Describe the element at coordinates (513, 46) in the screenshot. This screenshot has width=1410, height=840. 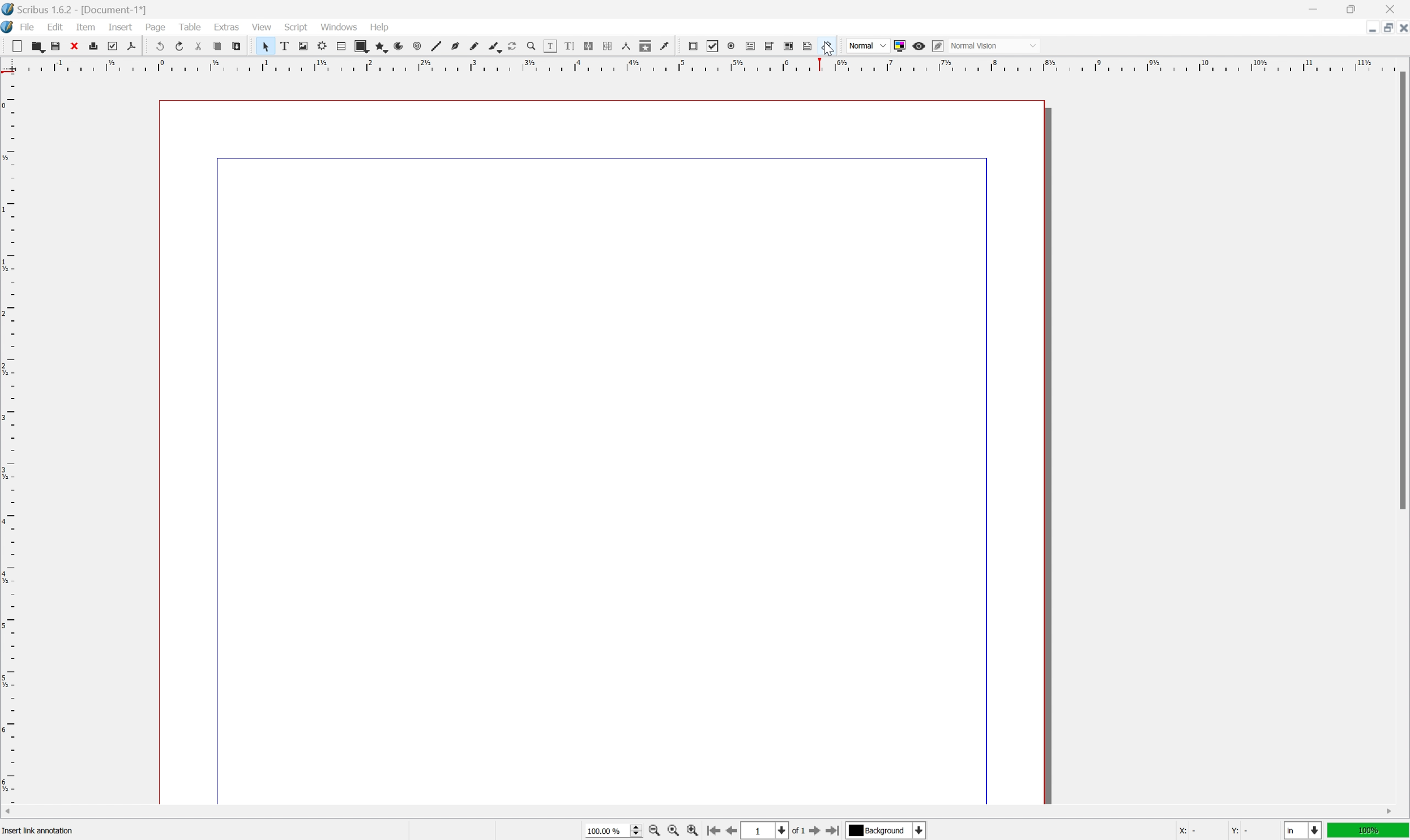
I see `rotate item` at that location.